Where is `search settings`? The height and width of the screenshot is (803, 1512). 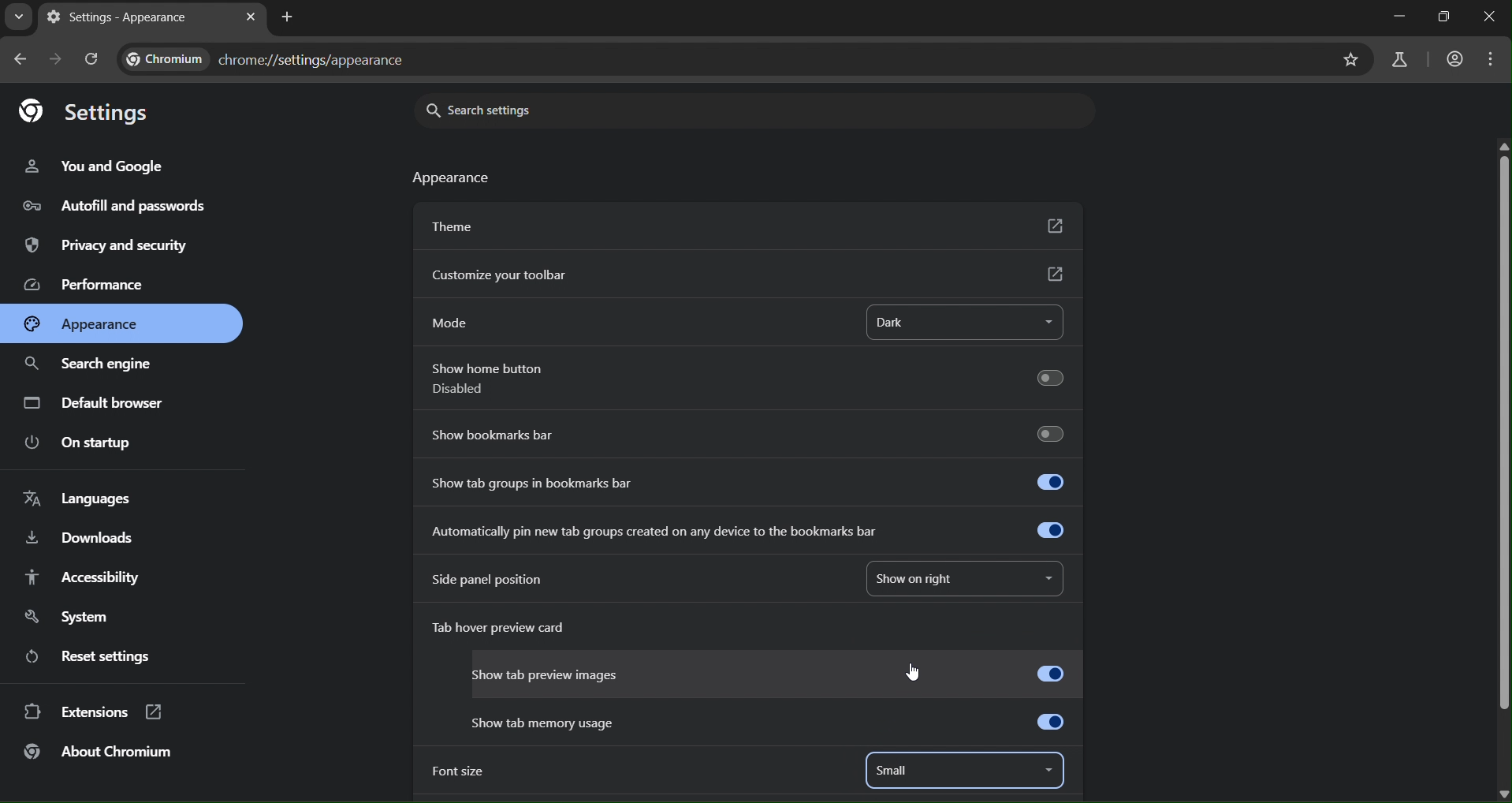
search settings is located at coordinates (553, 109).